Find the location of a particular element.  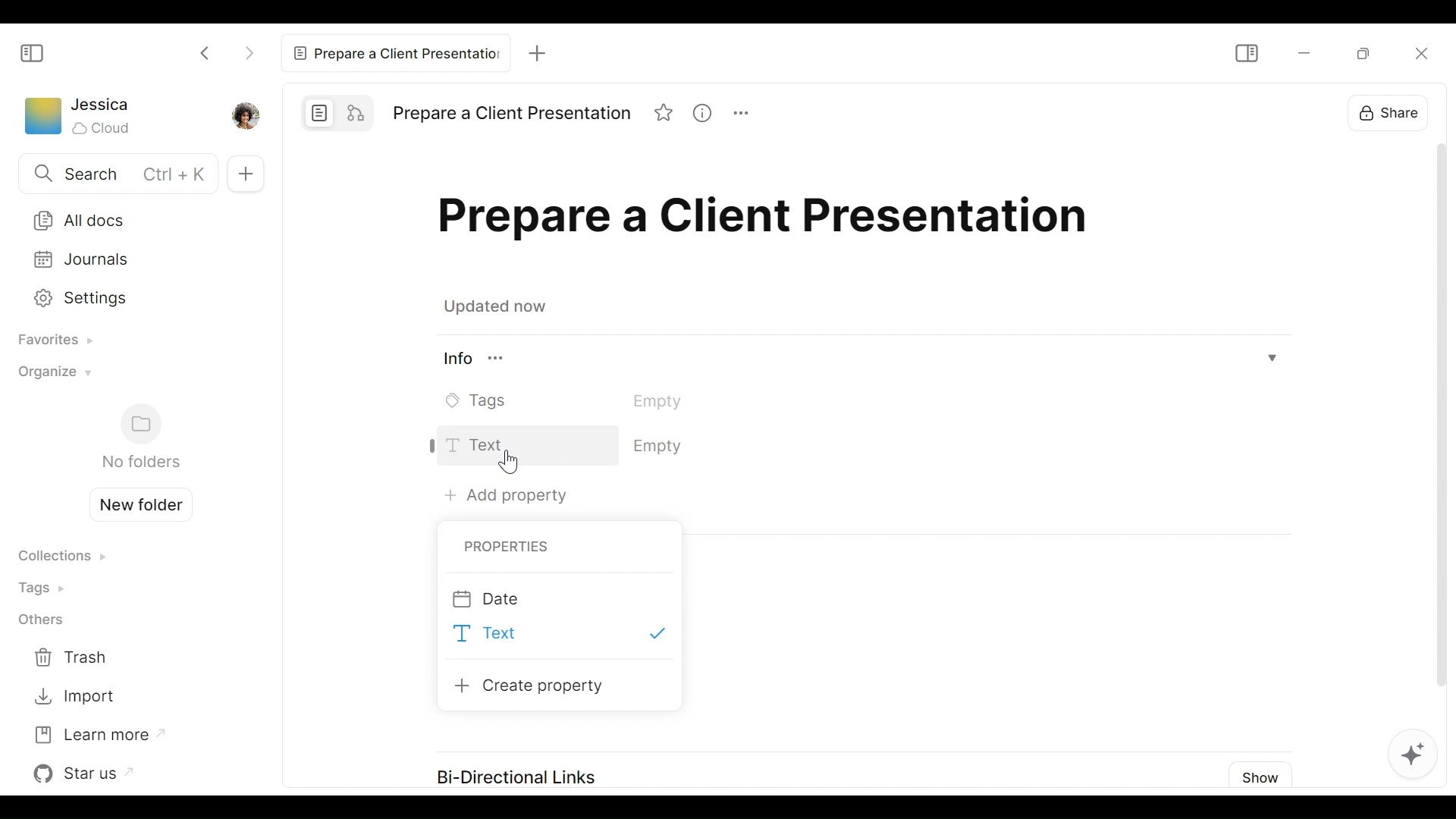

Collections is located at coordinates (61, 557).